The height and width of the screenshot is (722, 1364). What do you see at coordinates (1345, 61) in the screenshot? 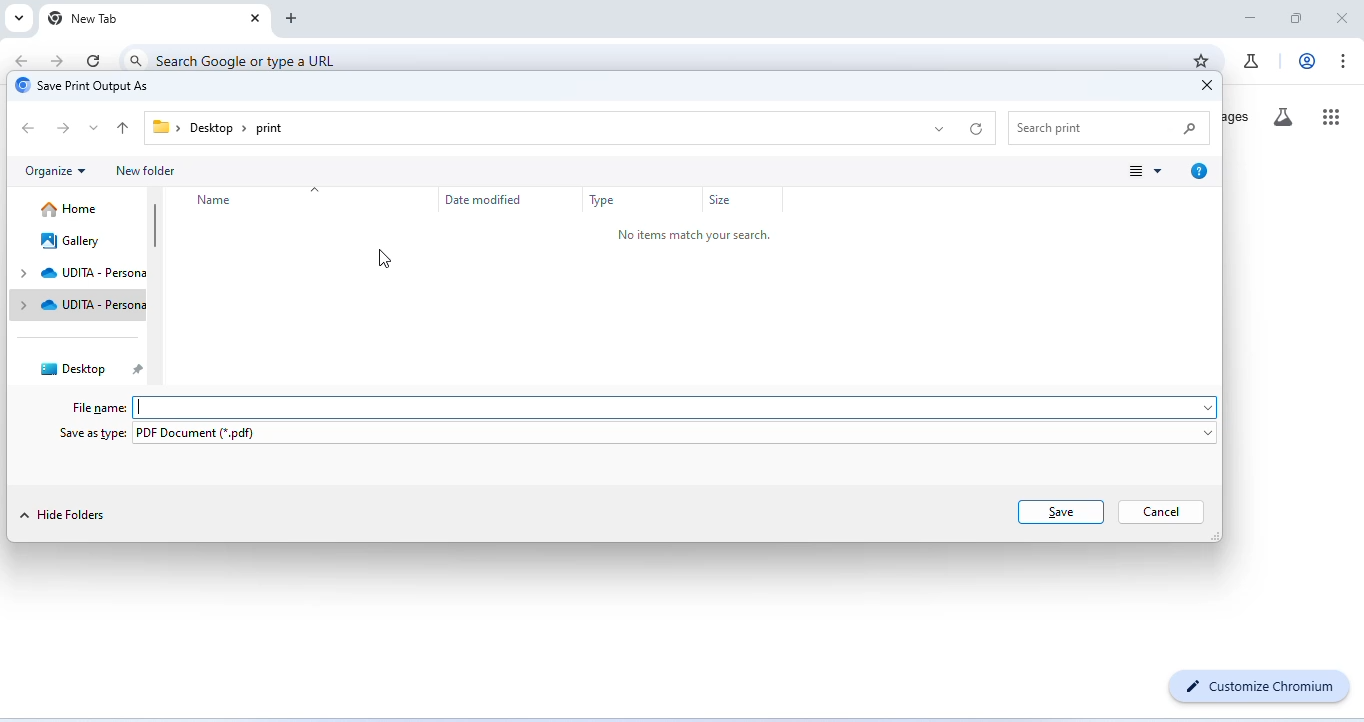
I see `customize and control chromium` at bounding box center [1345, 61].